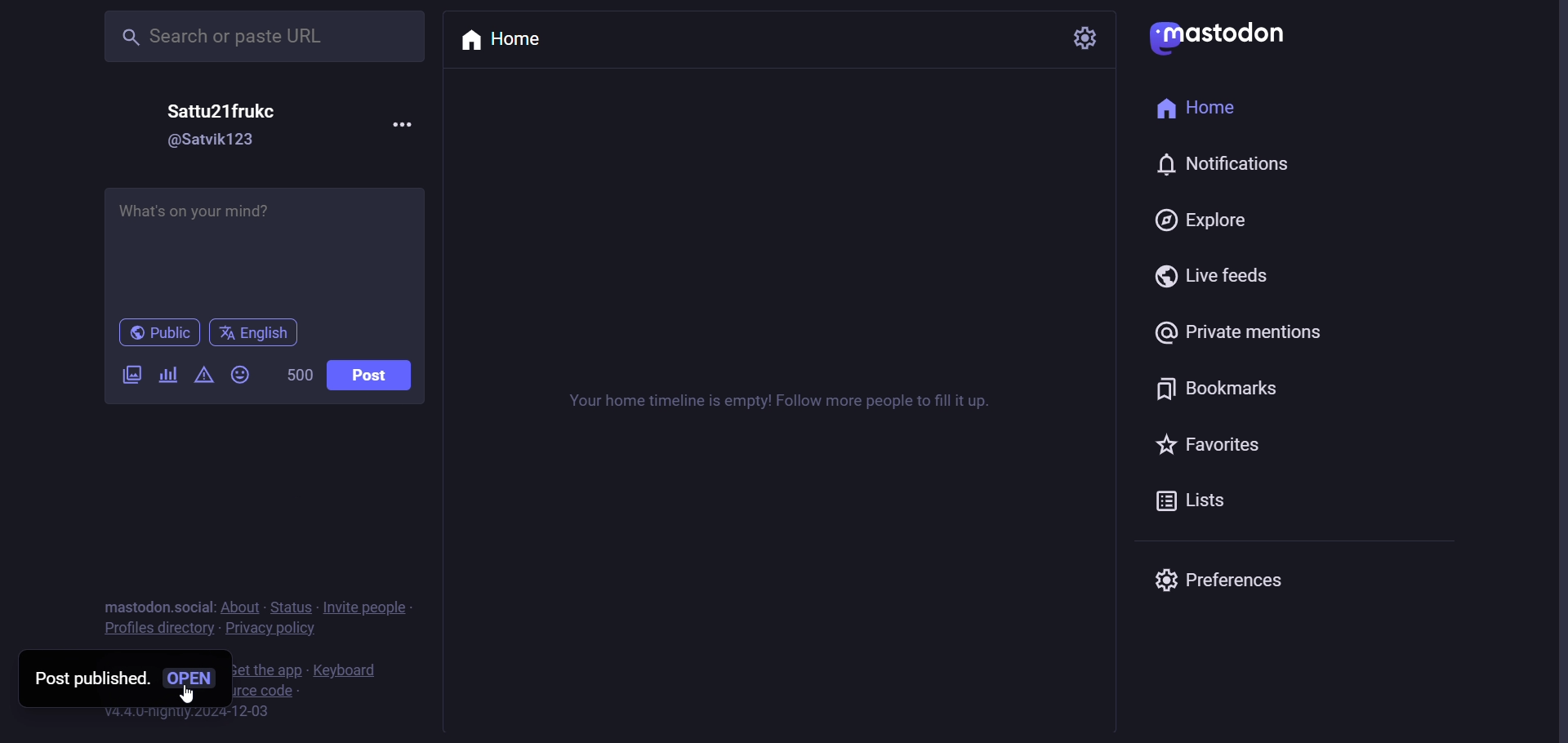  Describe the element at coordinates (156, 631) in the screenshot. I see `profiles directory` at that location.